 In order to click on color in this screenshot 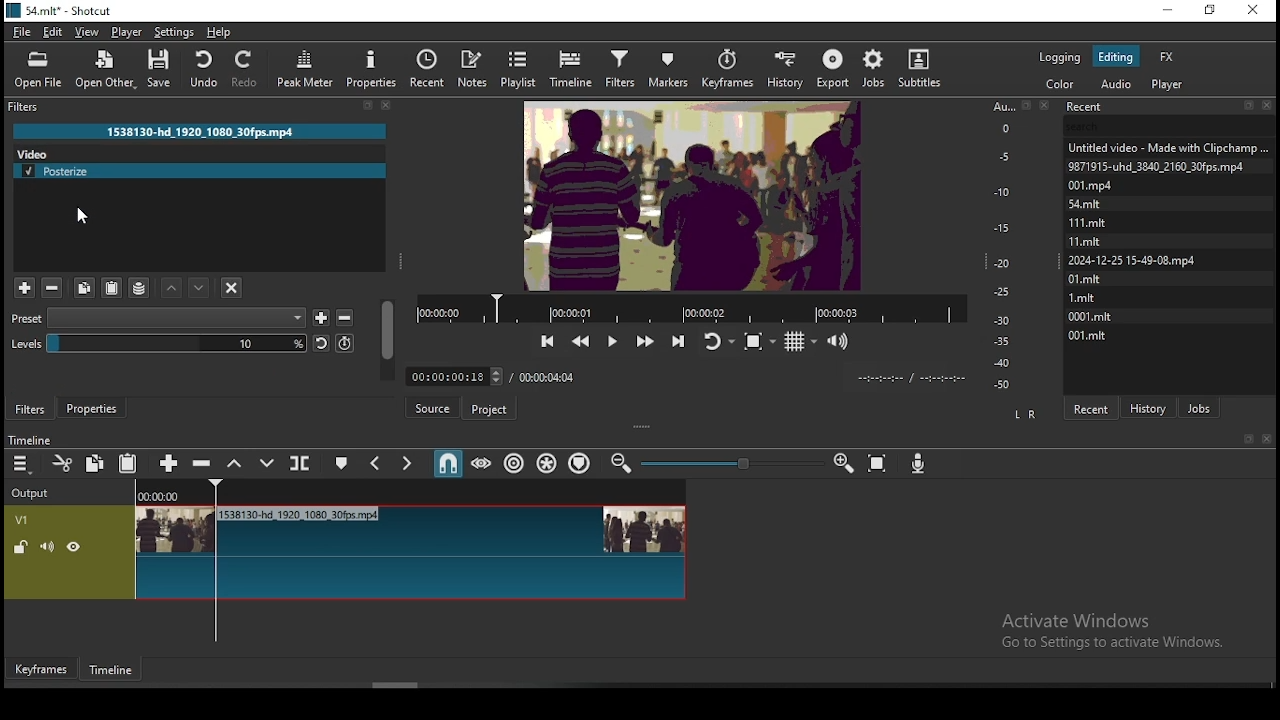, I will do `click(1060, 84)`.